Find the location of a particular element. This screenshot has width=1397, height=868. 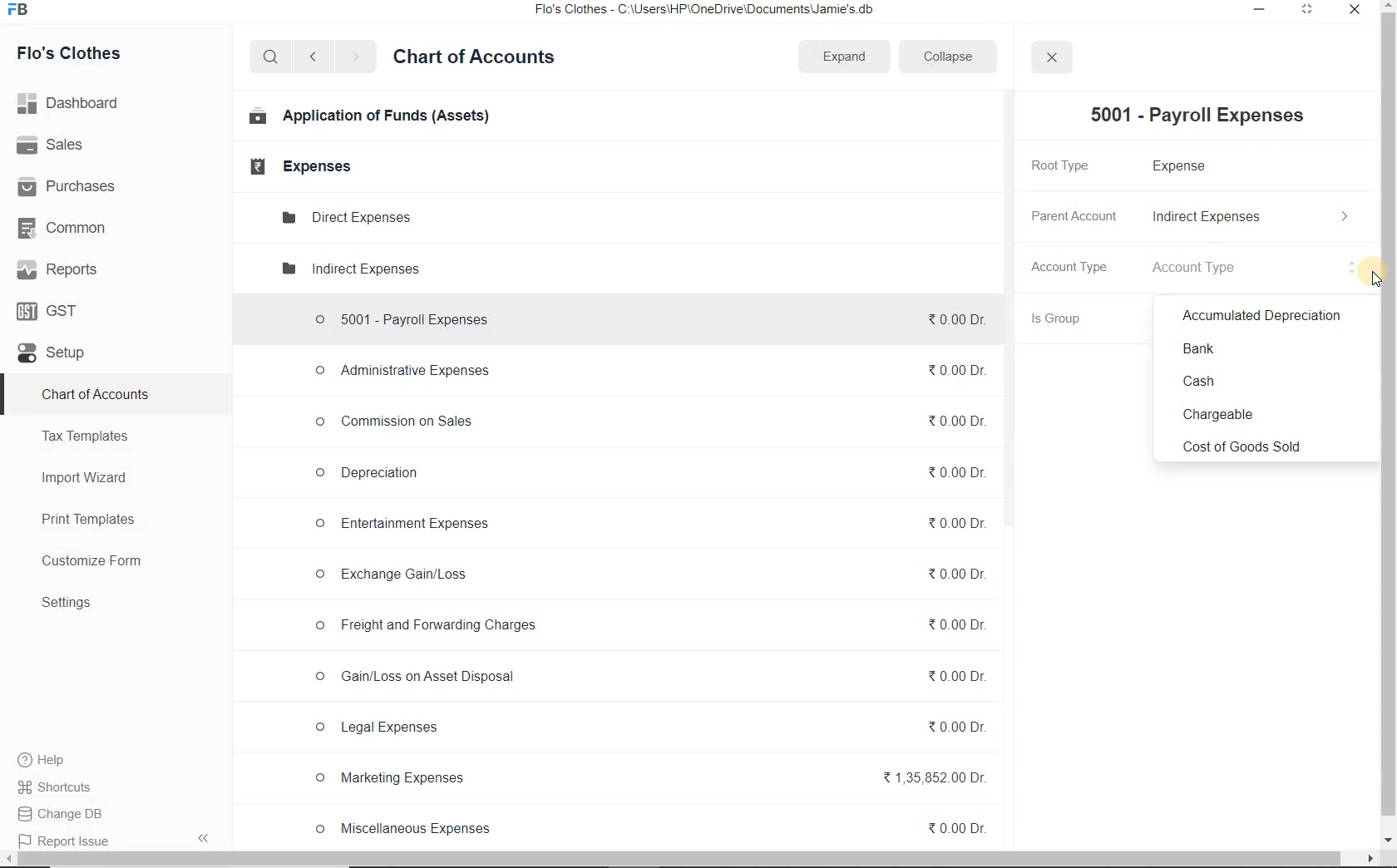

Reports is located at coordinates (57, 269).